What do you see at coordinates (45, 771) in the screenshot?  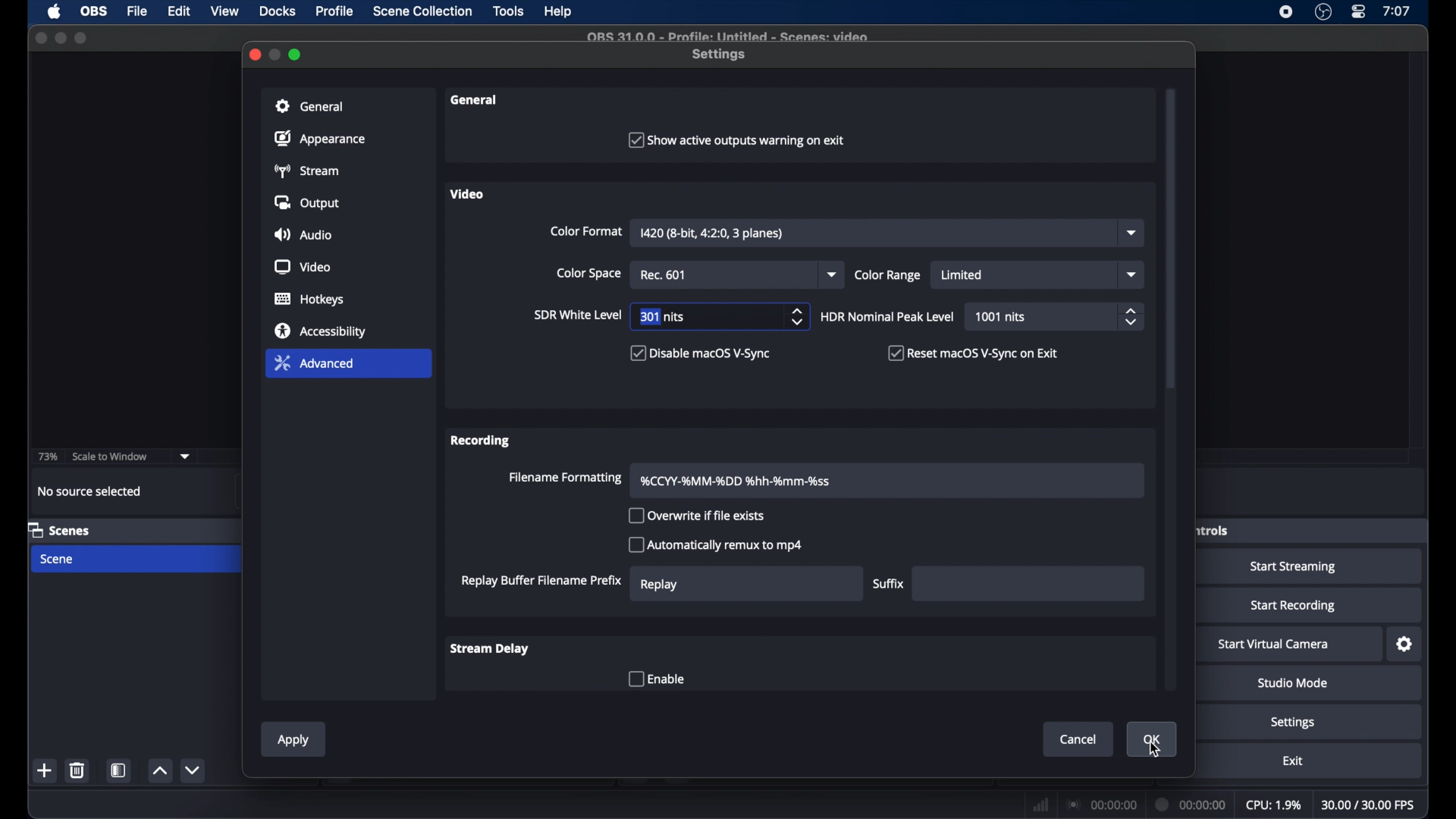 I see `add` at bounding box center [45, 771].